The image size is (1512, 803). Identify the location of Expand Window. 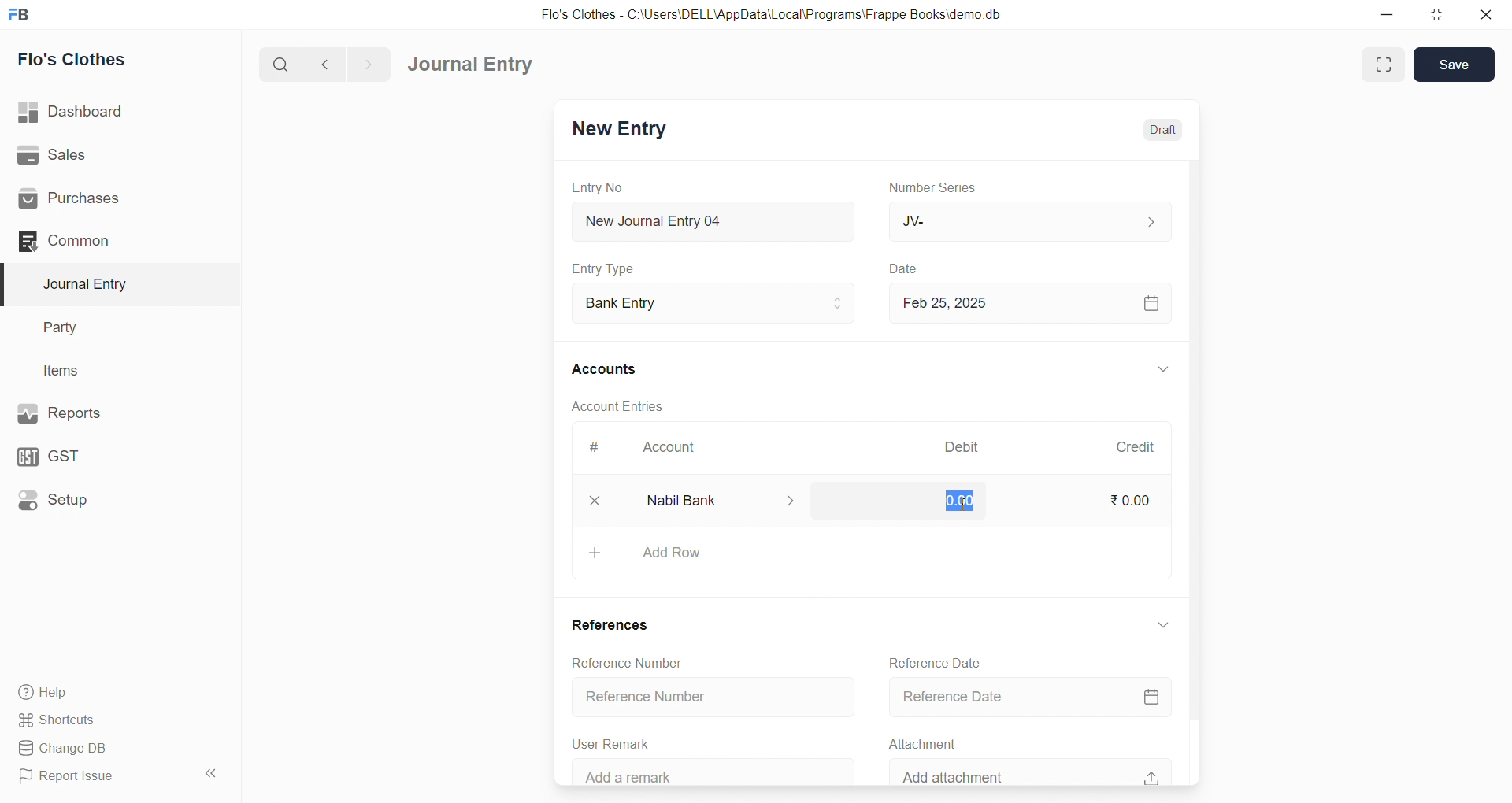
(1384, 65).